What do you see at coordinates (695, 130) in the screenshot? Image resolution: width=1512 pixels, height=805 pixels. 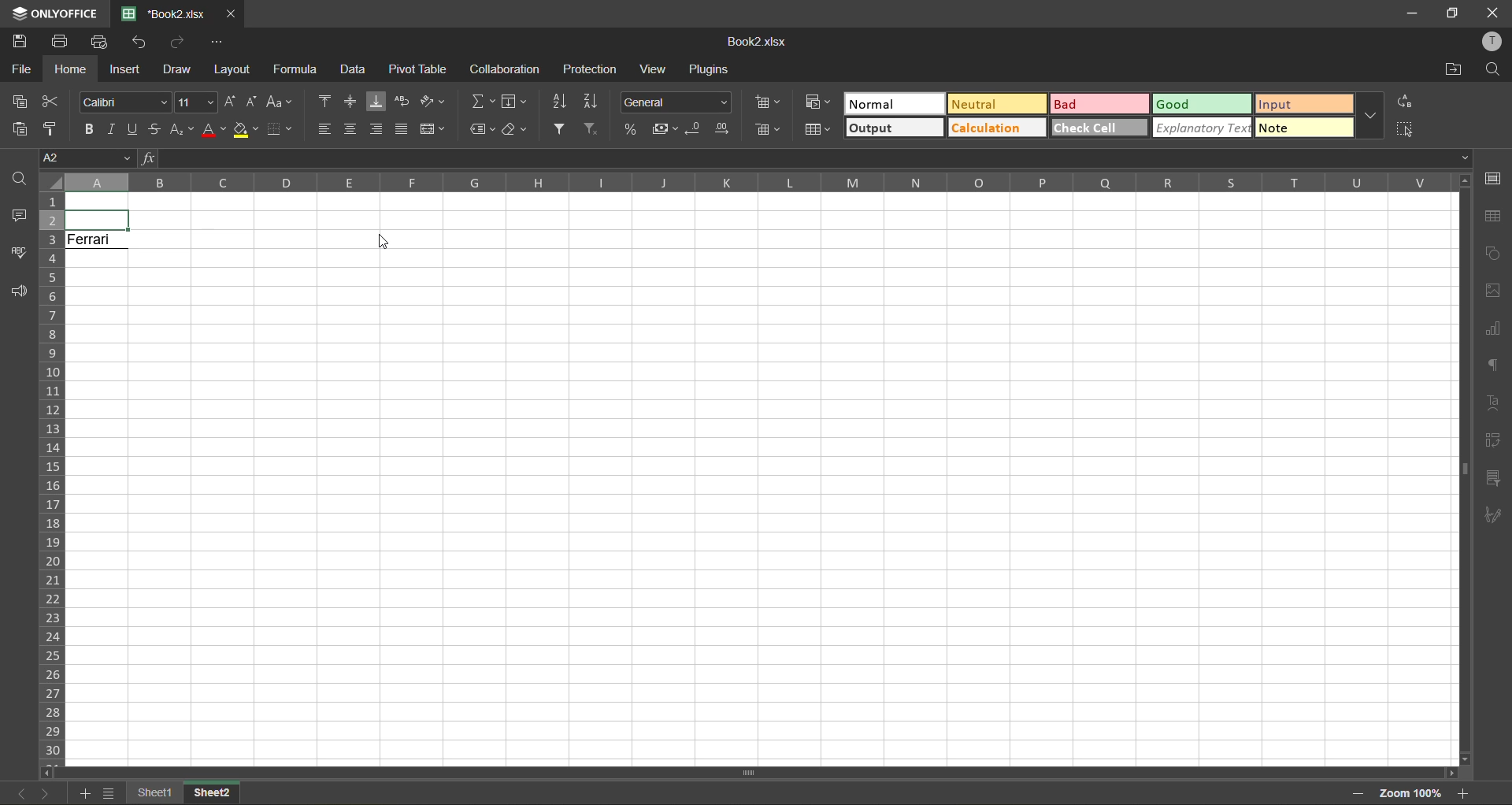 I see `decrease decimal` at bounding box center [695, 130].